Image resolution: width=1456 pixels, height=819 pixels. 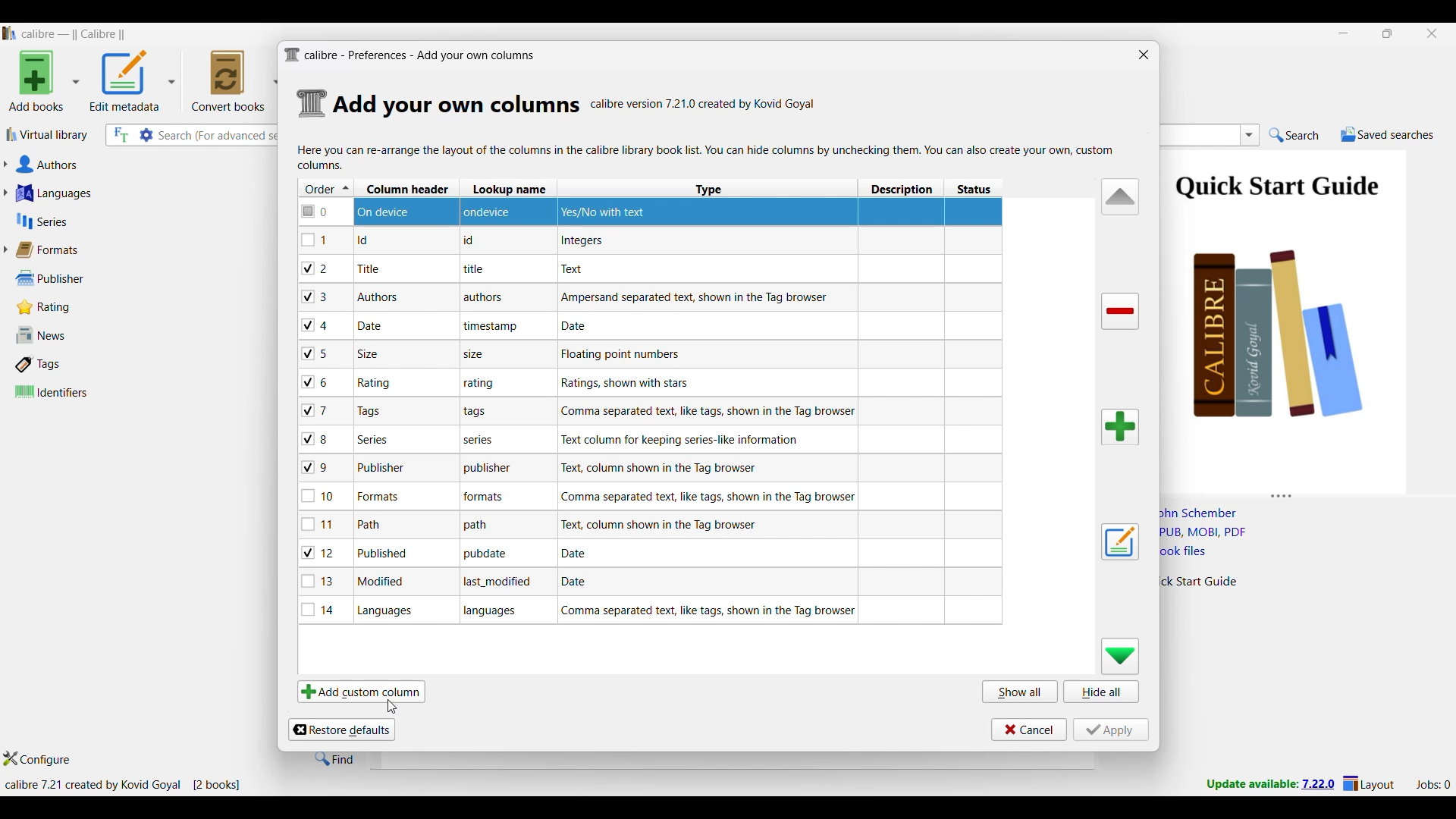 What do you see at coordinates (494, 497) in the screenshot?
I see `note` at bounding box center [494, 497].